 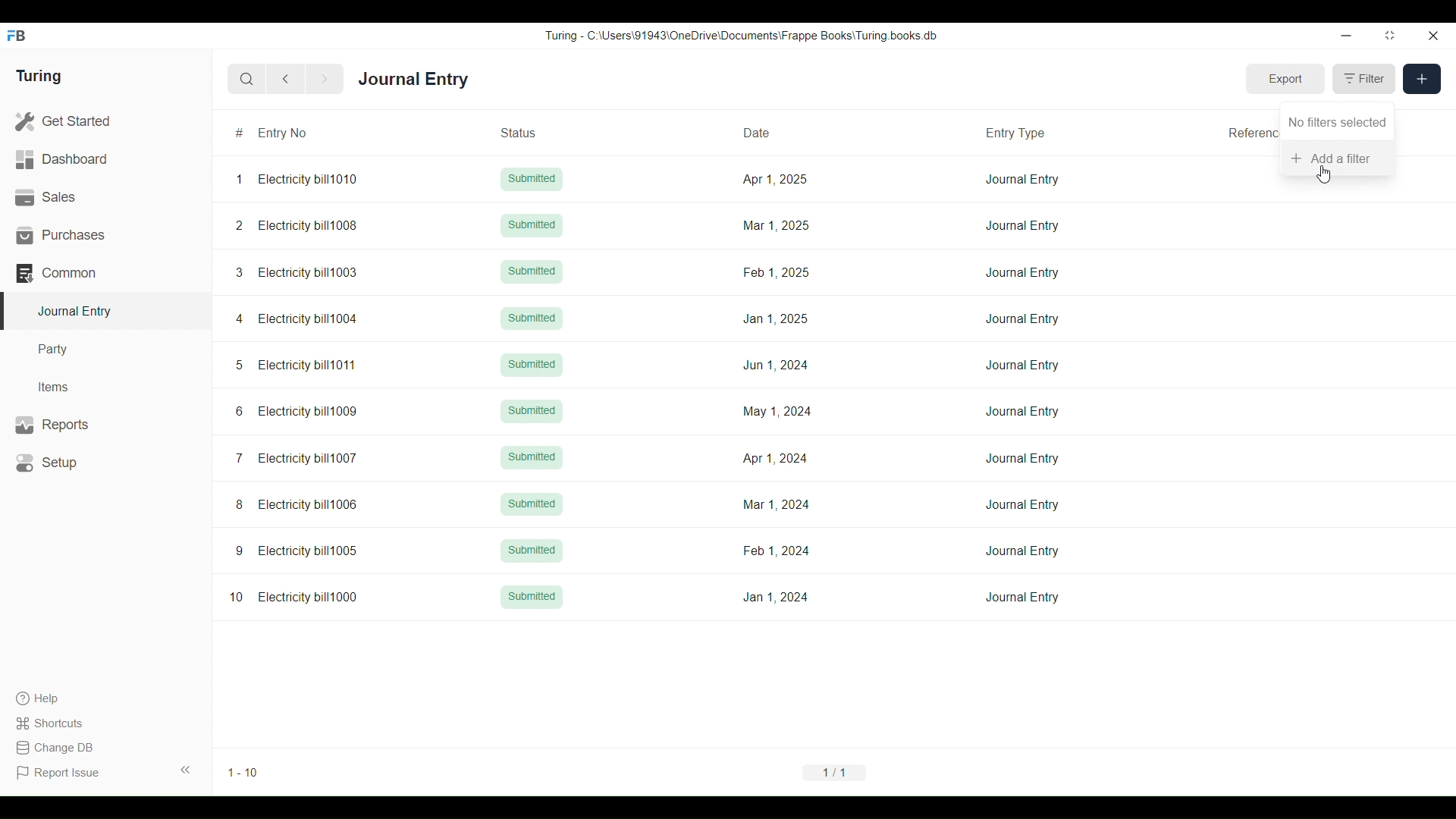 I want to click on Close, so click(x=1433, y=36).